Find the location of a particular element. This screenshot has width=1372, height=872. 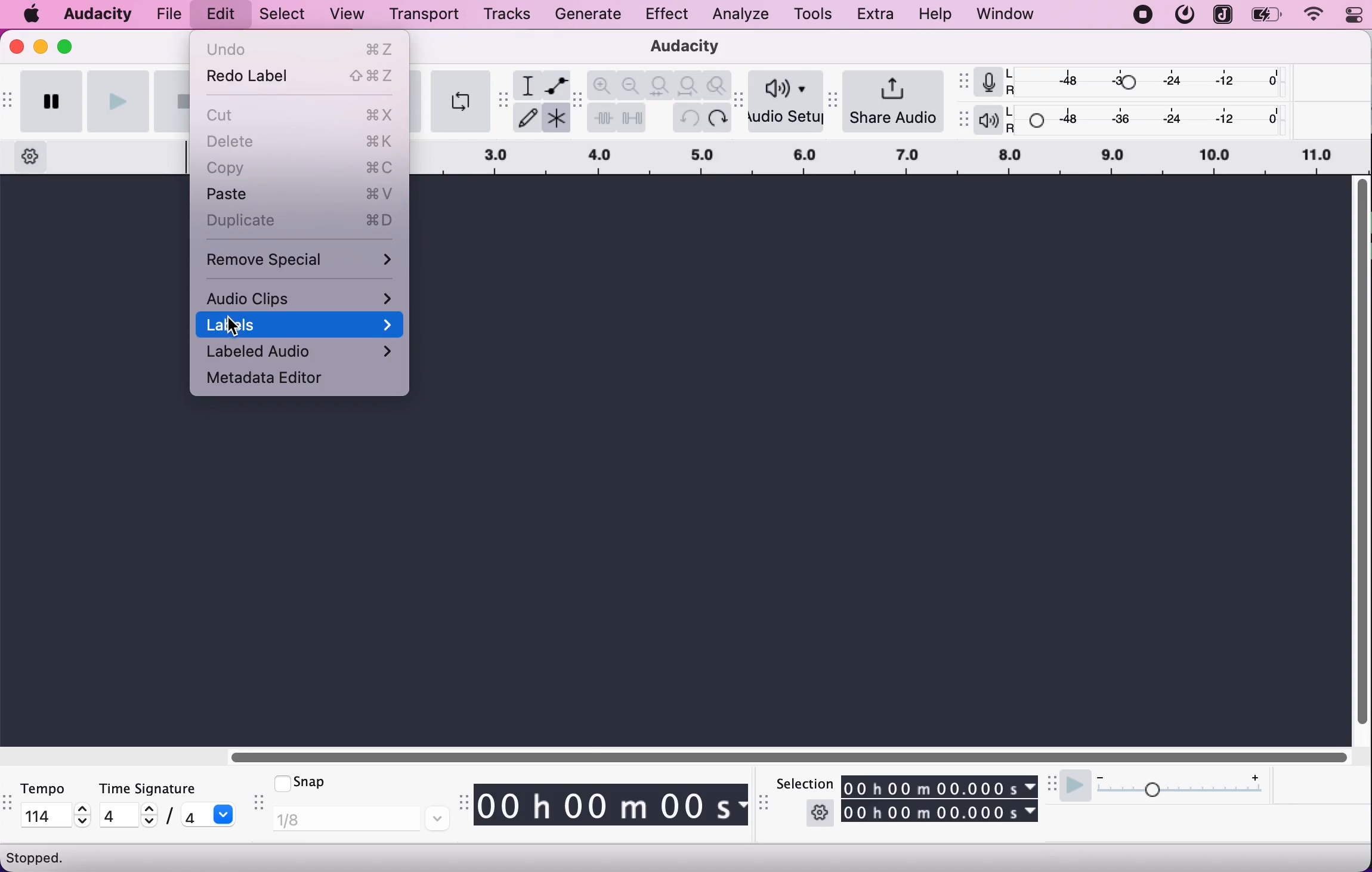

joplin is located at coordinates (1222, 14).